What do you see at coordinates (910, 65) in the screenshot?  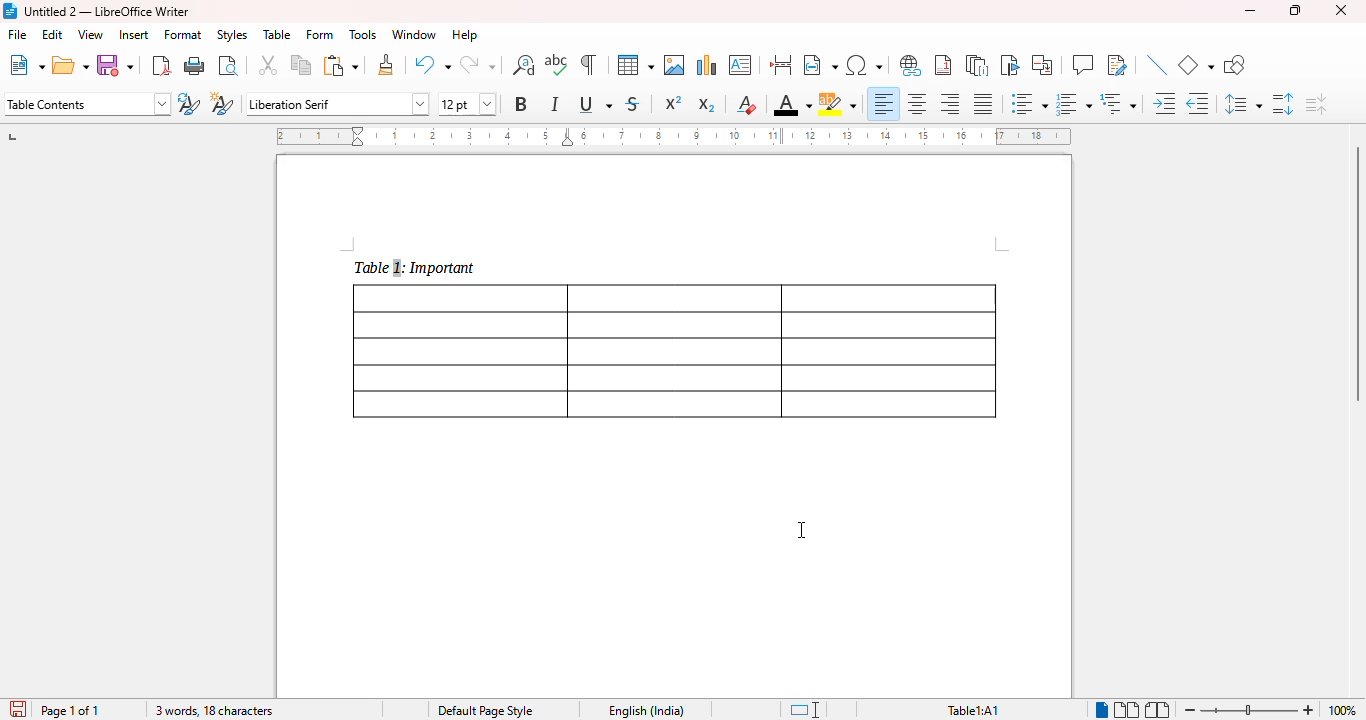 I see `insert hyperlink` at bounding box center [910, 65].